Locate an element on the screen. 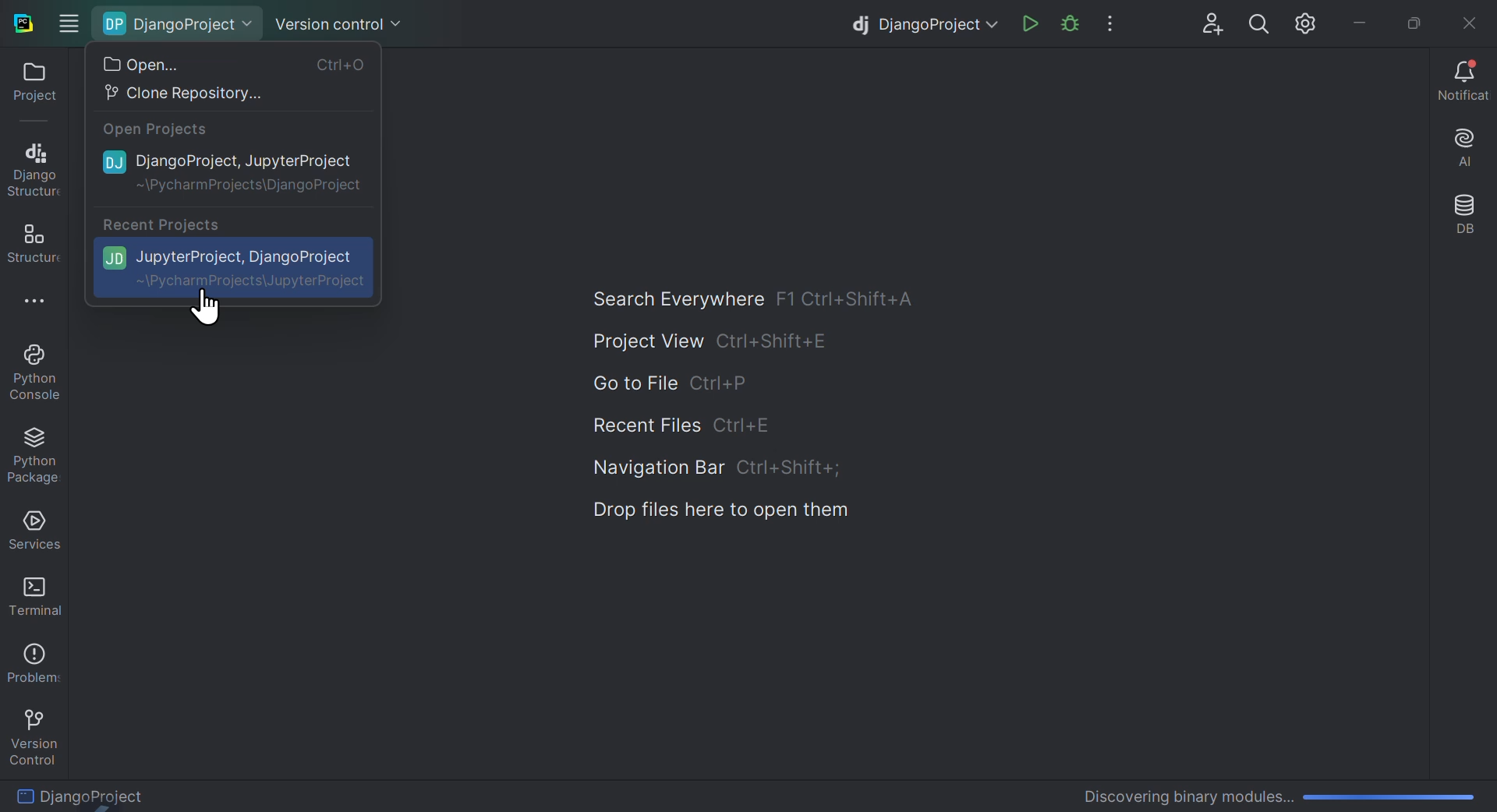 This screenshot has height=812, width=1497. Recent files is located at coordinates (645, 427).